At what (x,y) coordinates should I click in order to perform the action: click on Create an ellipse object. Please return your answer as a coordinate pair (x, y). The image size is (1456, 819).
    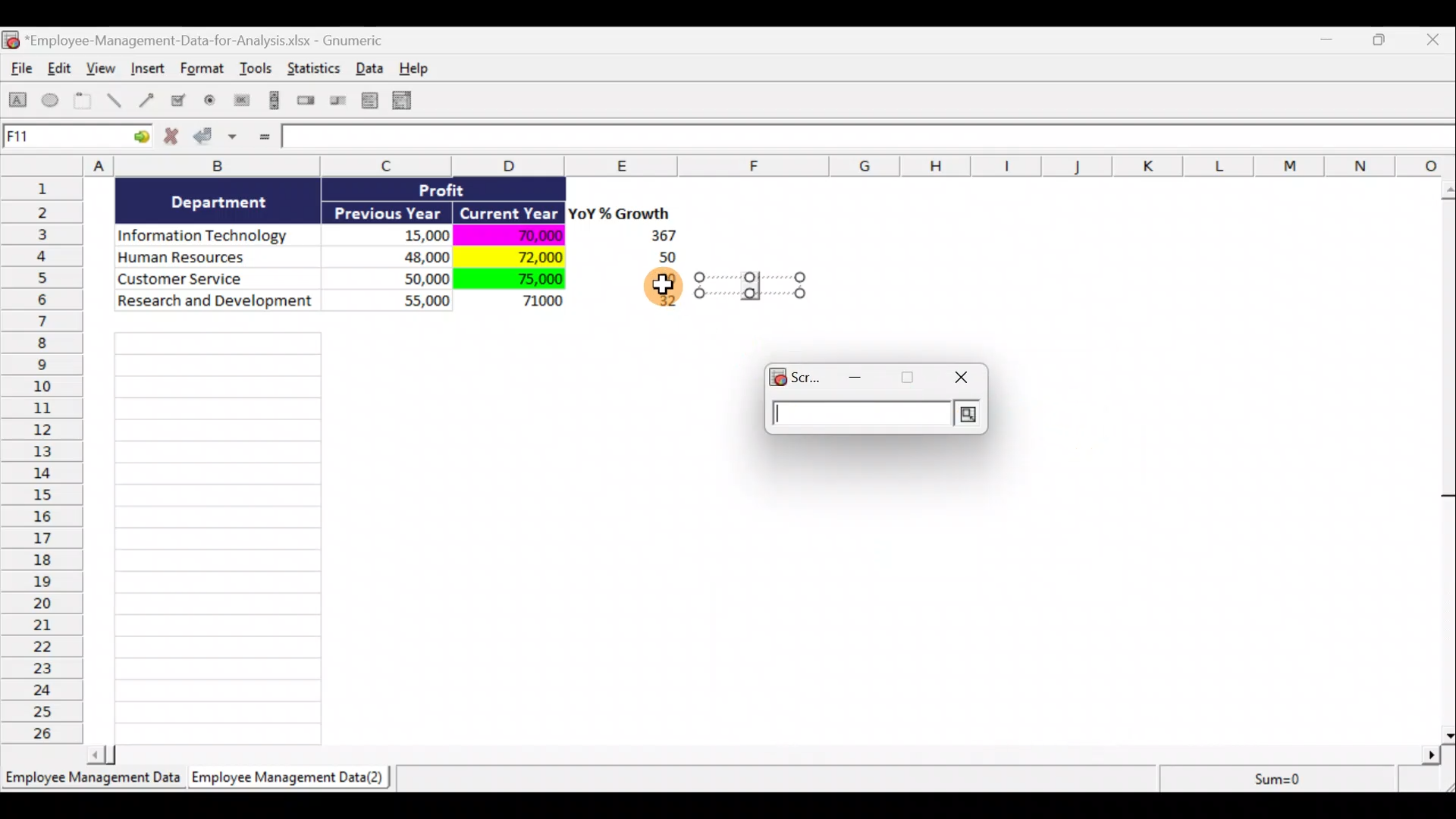
    Looking at the image, I should click on (51, 101).